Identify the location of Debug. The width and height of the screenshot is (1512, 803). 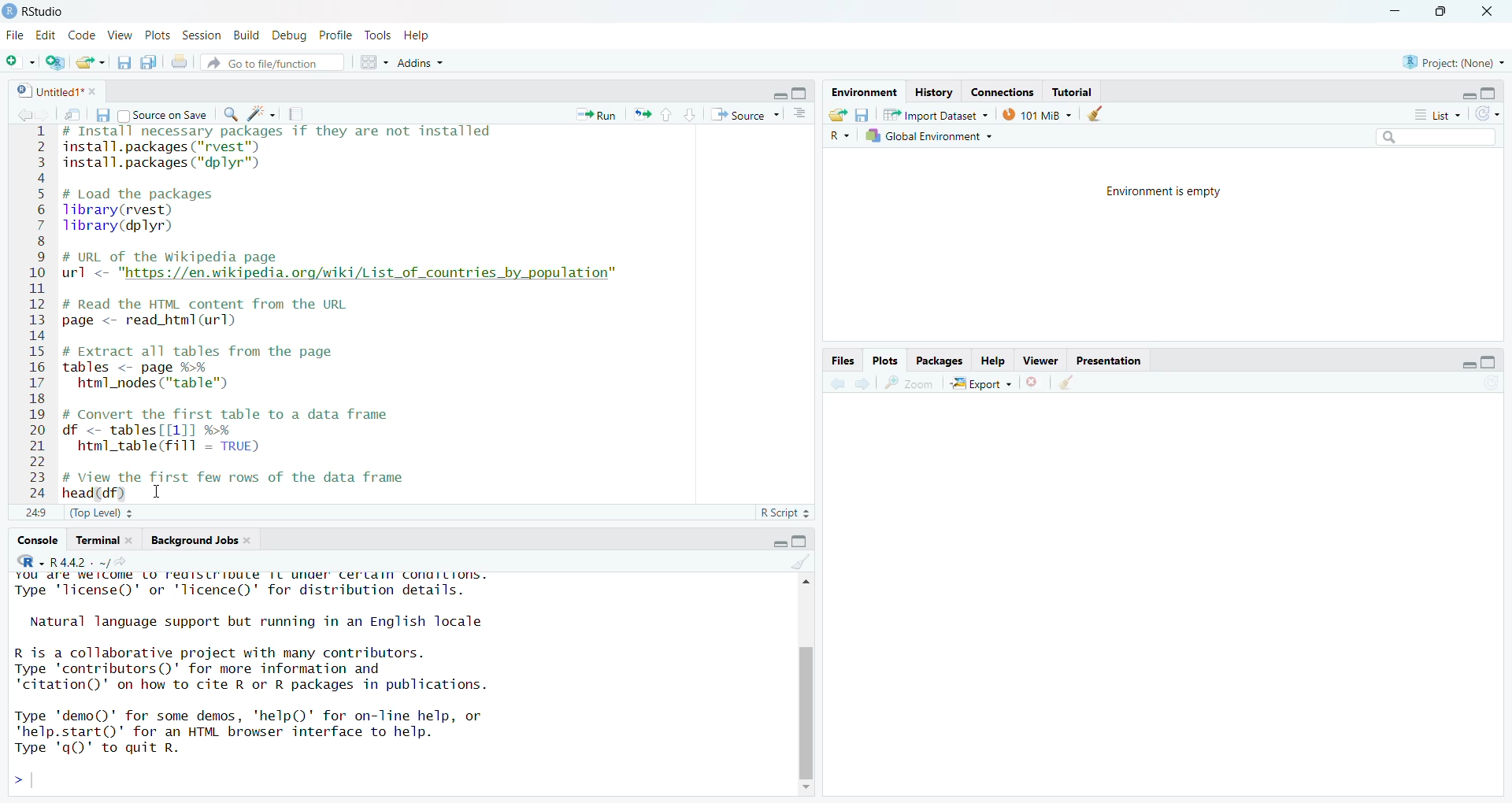
(291, 36).